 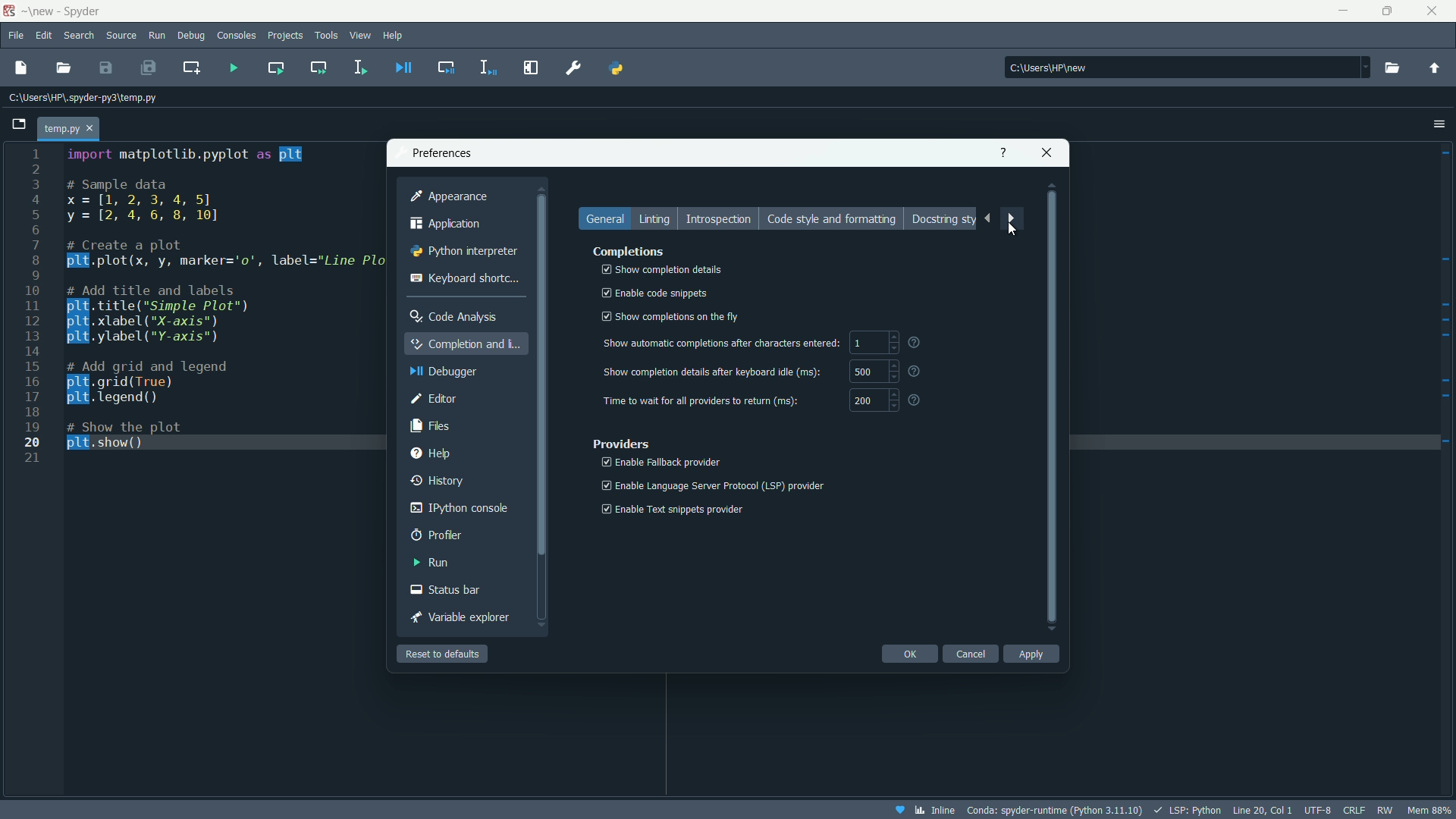 I want to click on variable explorer, so click(x=465, y=617).